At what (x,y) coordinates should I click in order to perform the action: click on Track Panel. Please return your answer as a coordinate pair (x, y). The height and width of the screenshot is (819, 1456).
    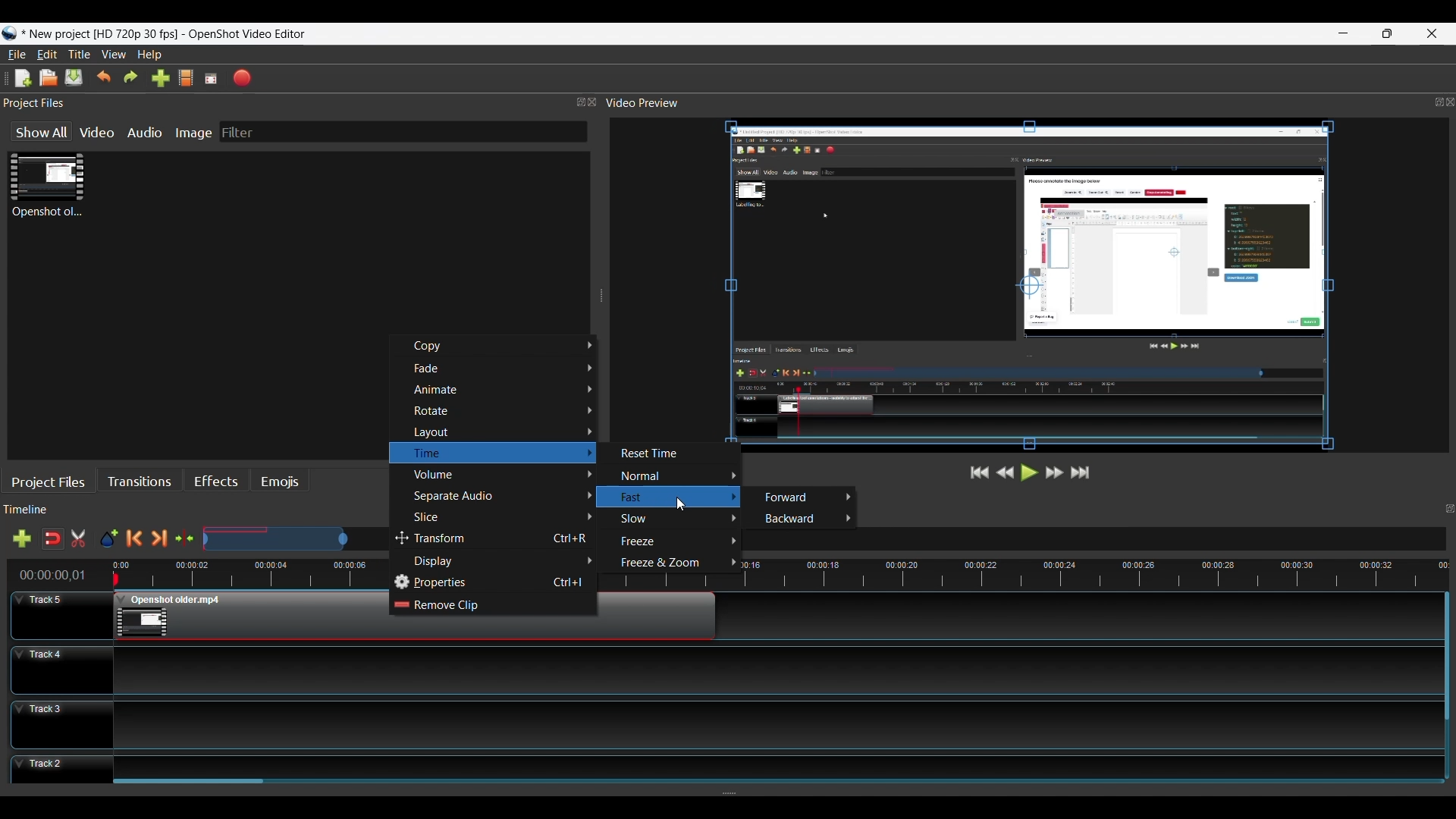
    Looking at the image, I should click on (774, 764).